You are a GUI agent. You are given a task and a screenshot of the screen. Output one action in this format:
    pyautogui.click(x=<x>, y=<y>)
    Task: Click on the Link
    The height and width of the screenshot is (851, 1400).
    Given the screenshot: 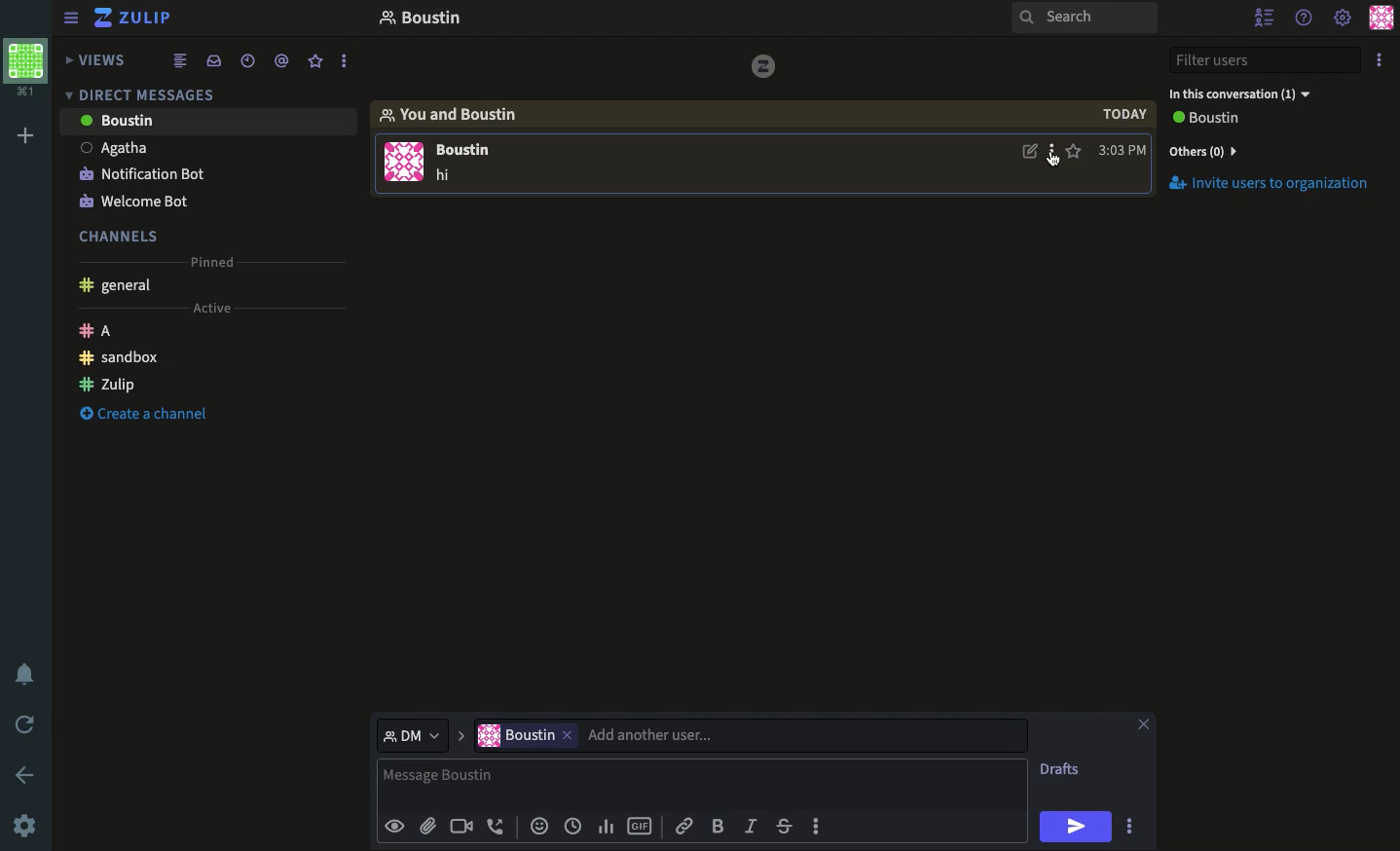 What is the action you would take?
    pyautogui.click(x=683, y=826)
    